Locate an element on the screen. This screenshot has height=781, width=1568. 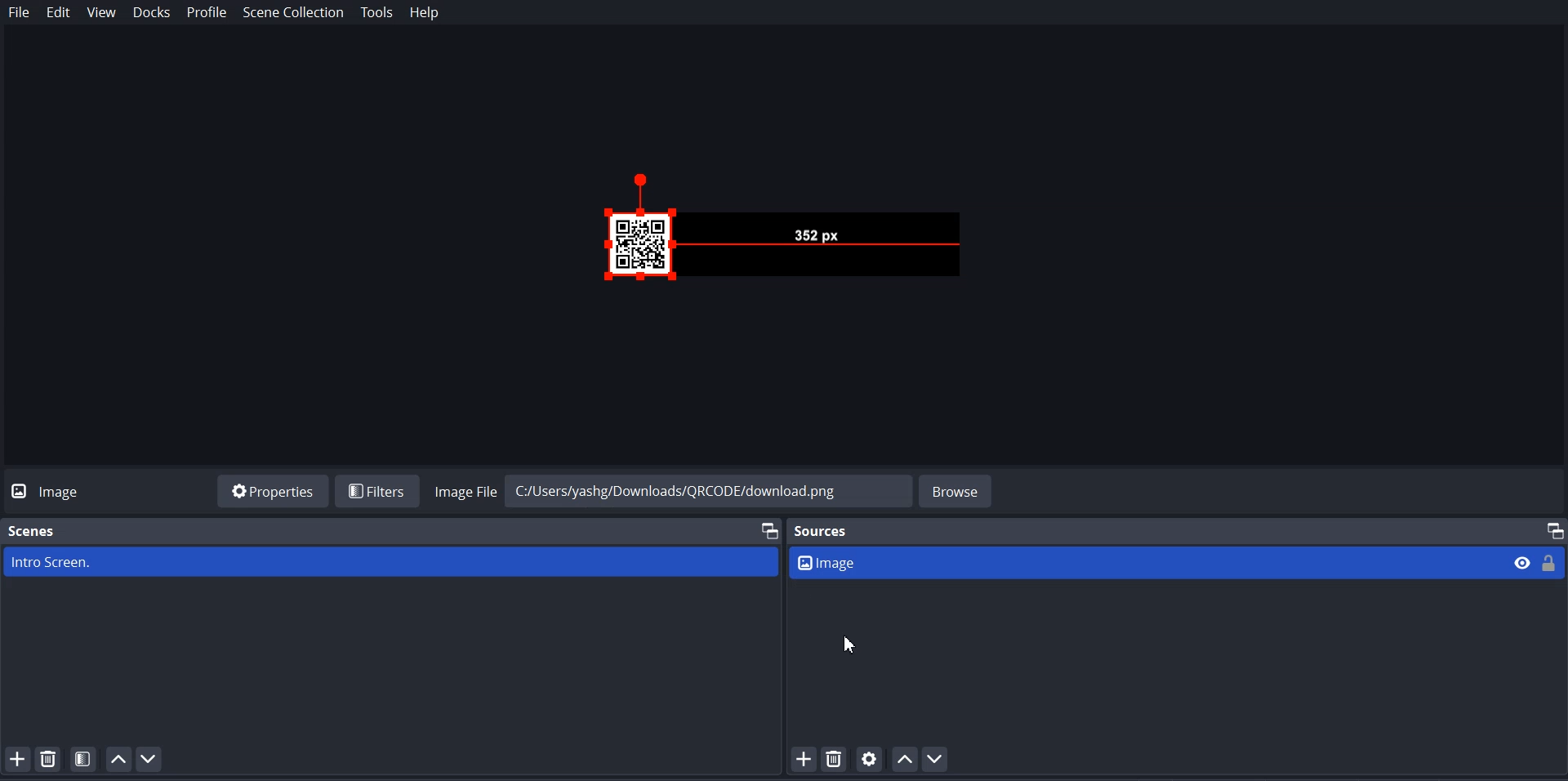
Preview Drag Handle is located at coordinates (797, 235).